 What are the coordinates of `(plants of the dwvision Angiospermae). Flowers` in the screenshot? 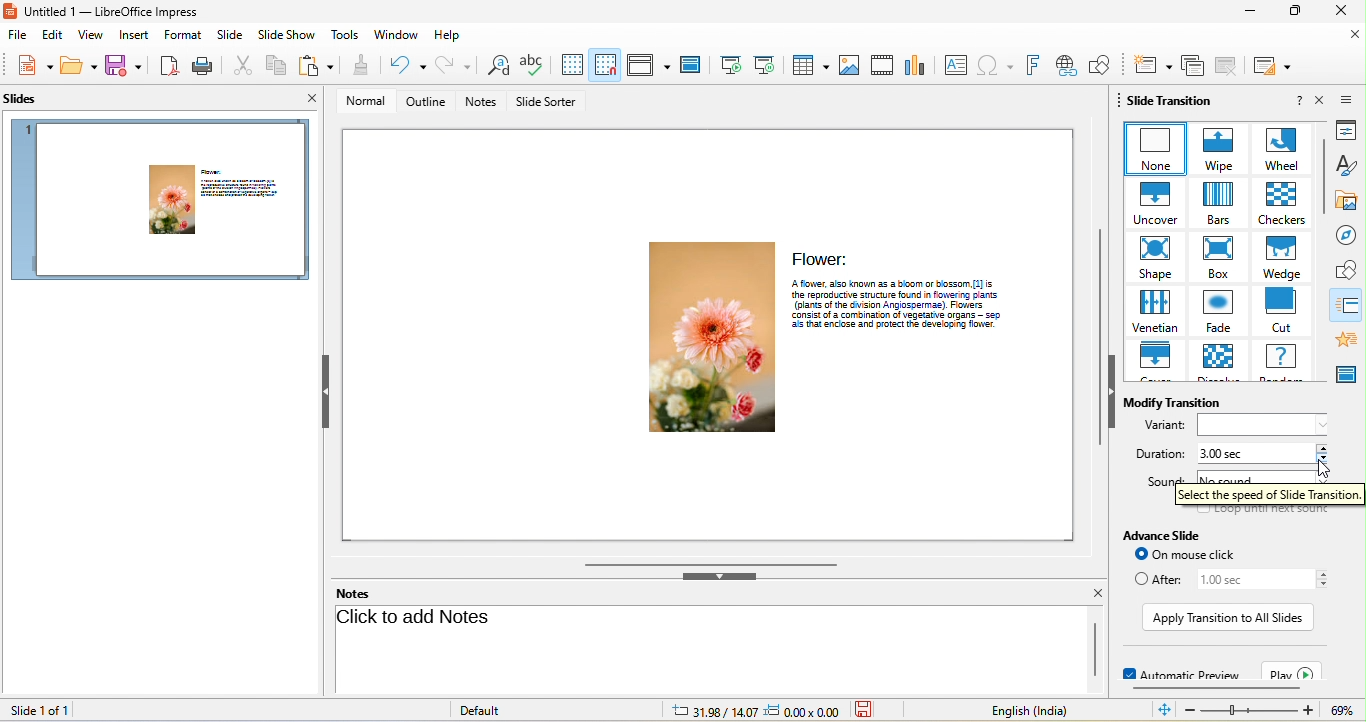 It's located at (907, 304).